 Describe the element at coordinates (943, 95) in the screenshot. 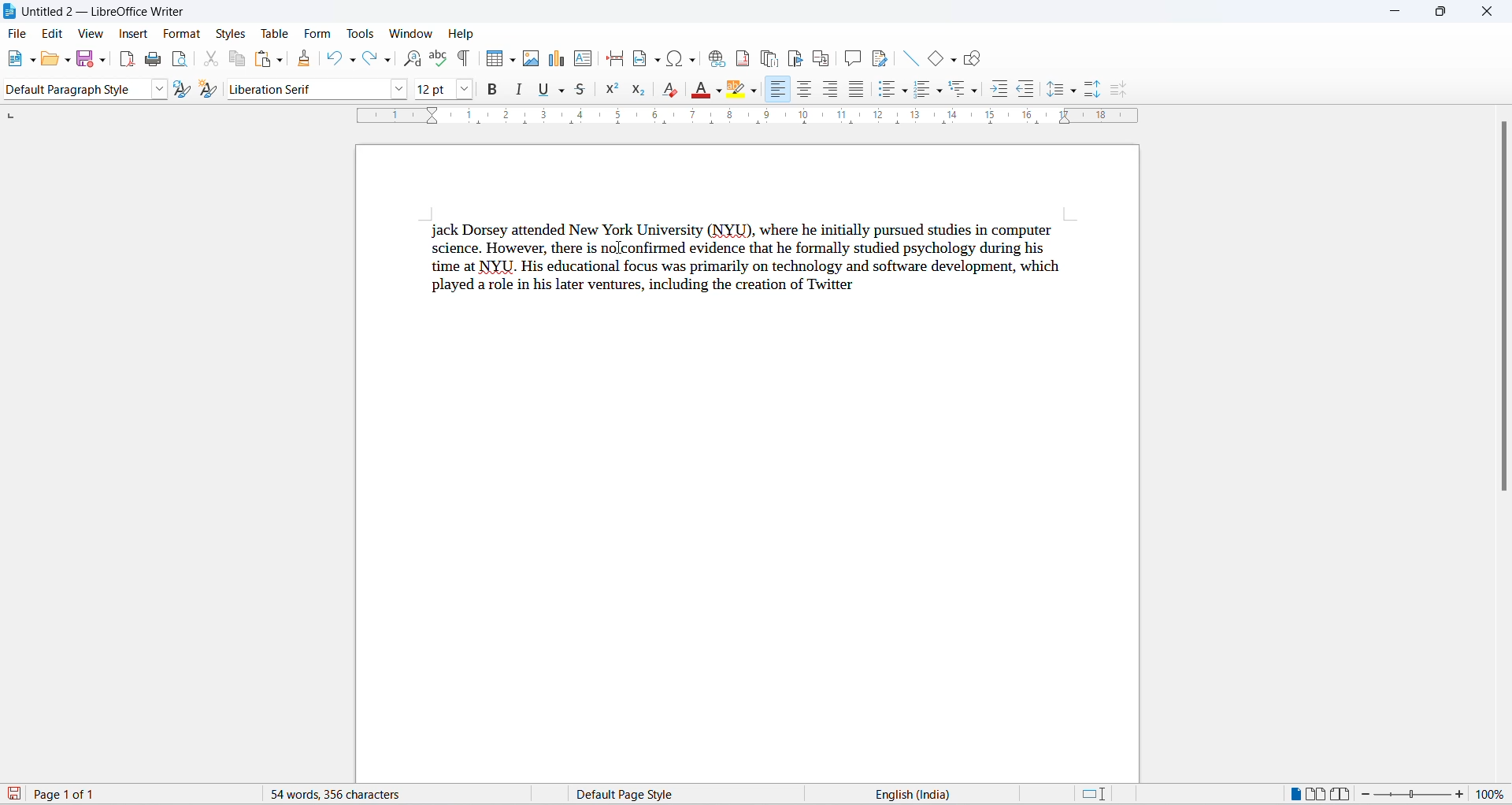

I see `toggle ordered list options` at that location.